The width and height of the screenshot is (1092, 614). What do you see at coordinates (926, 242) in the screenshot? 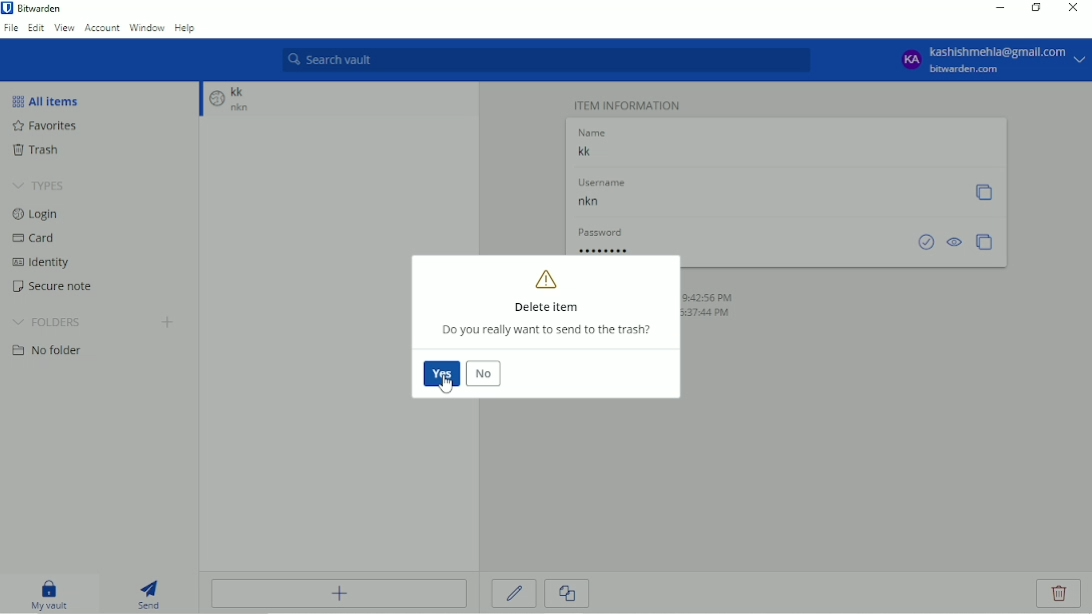
I see `Check if password has been exposed` at bounding box center [926, 242].